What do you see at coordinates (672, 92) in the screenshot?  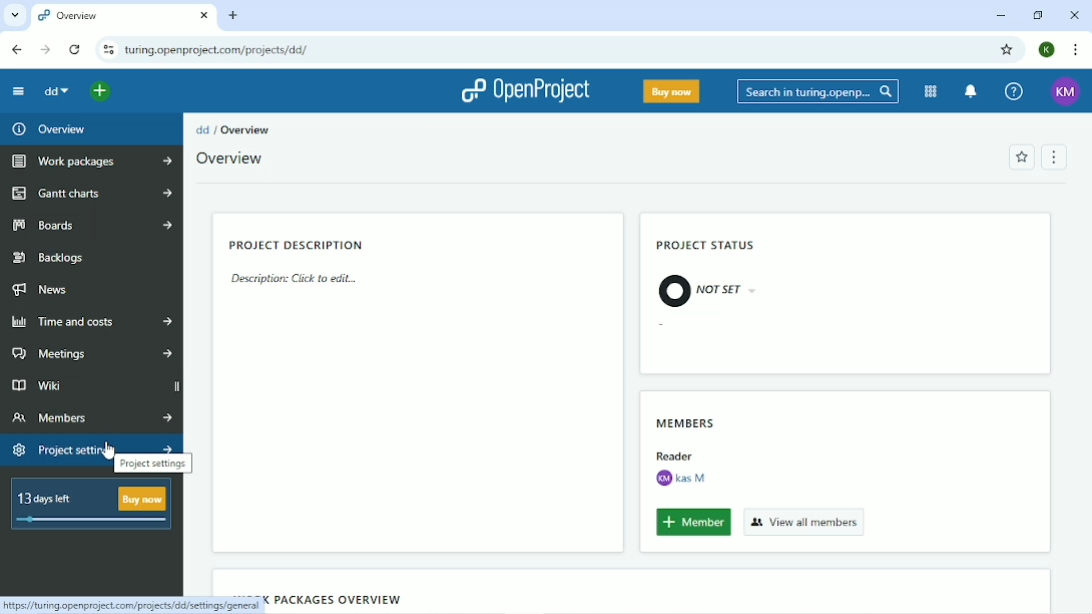 I see `Buy now` at bounding box center [672, 92].